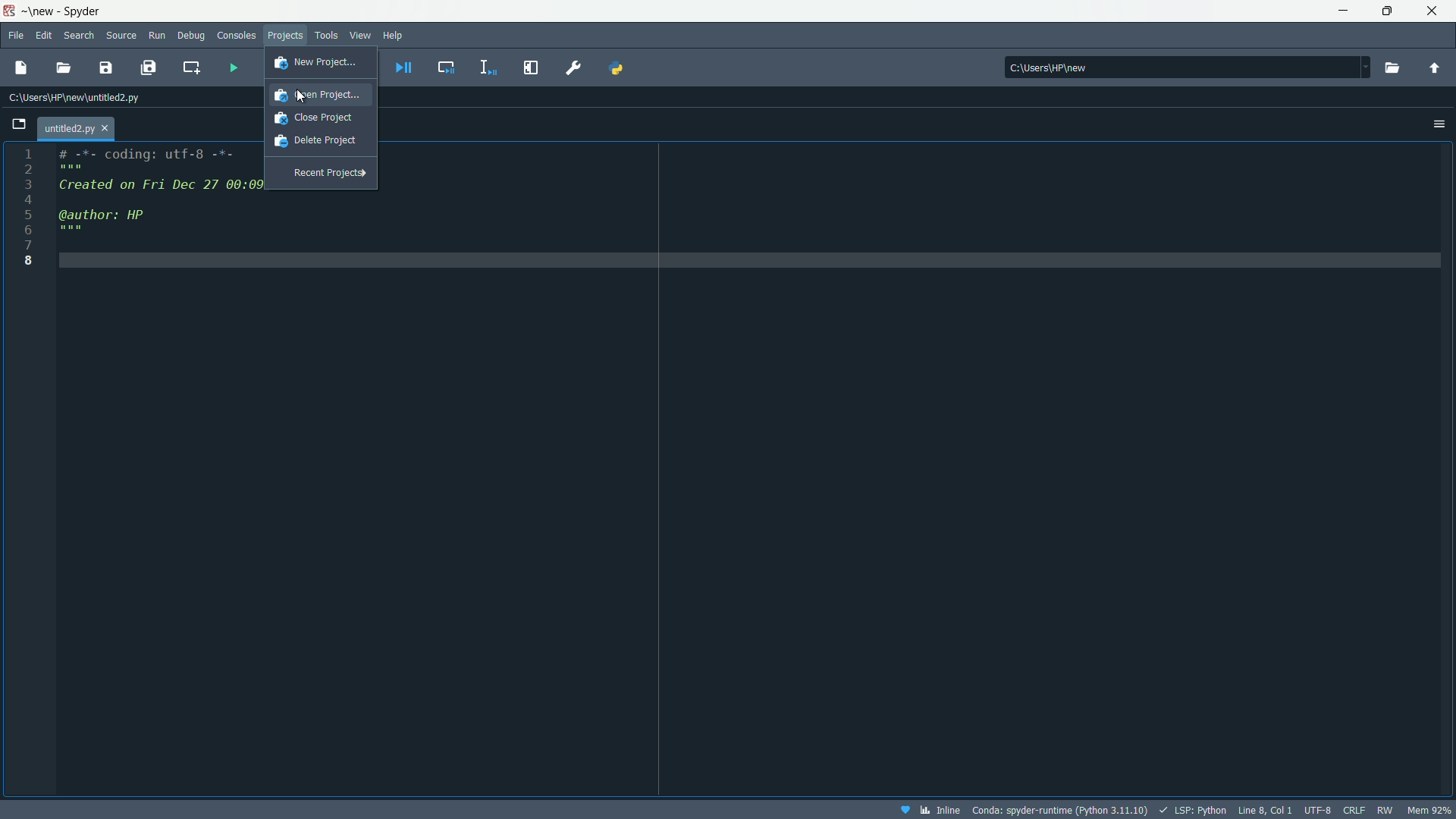 This screenshot has height=819, width=1456. What do you see at coordinates (158, 33) in the screenshot?
I see `Run` at bounding box center [158, 33].